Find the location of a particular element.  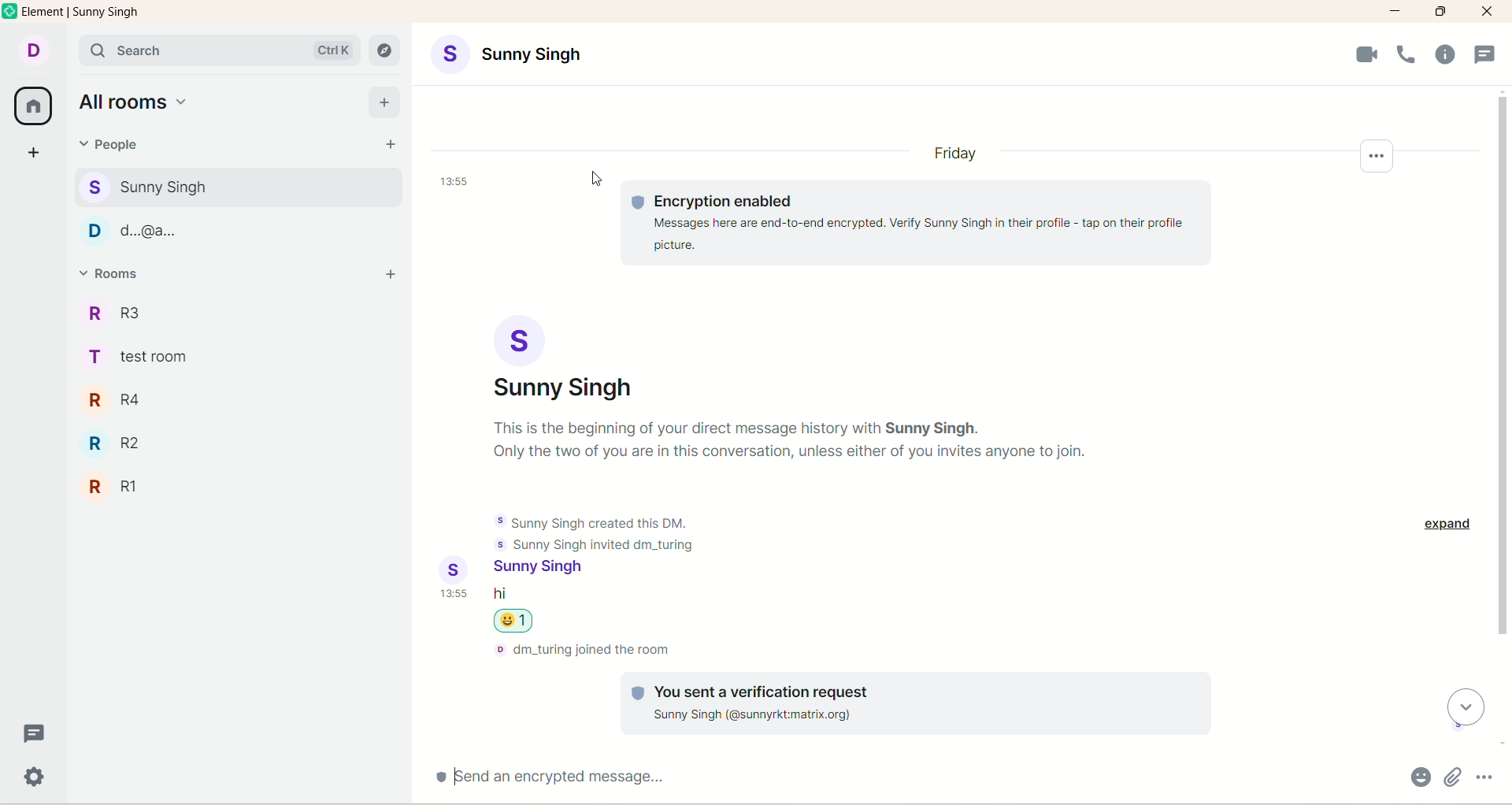

all rooms is located at coordinates (136, 101).